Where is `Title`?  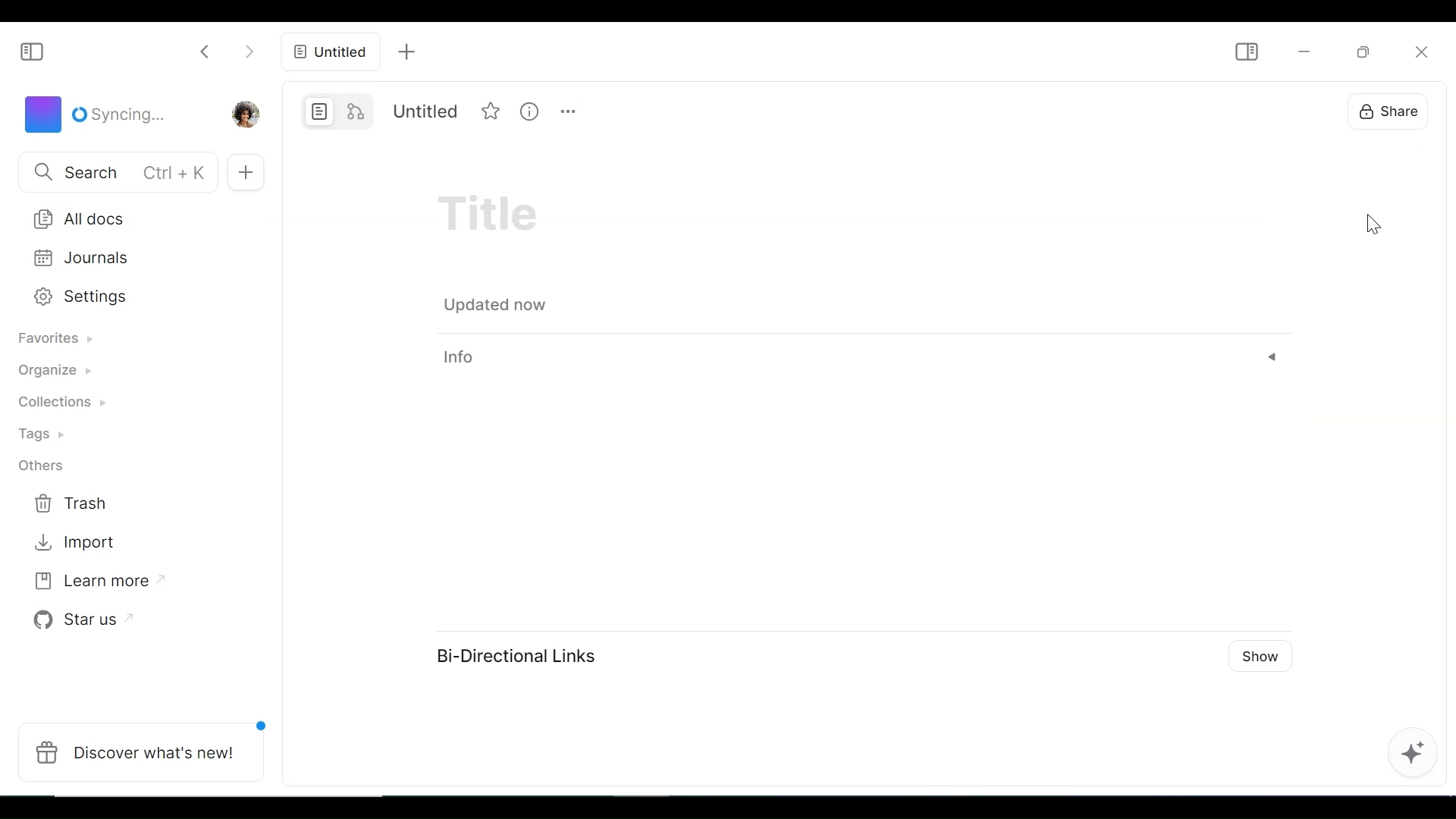
Title is located at coordinates (501, 218).